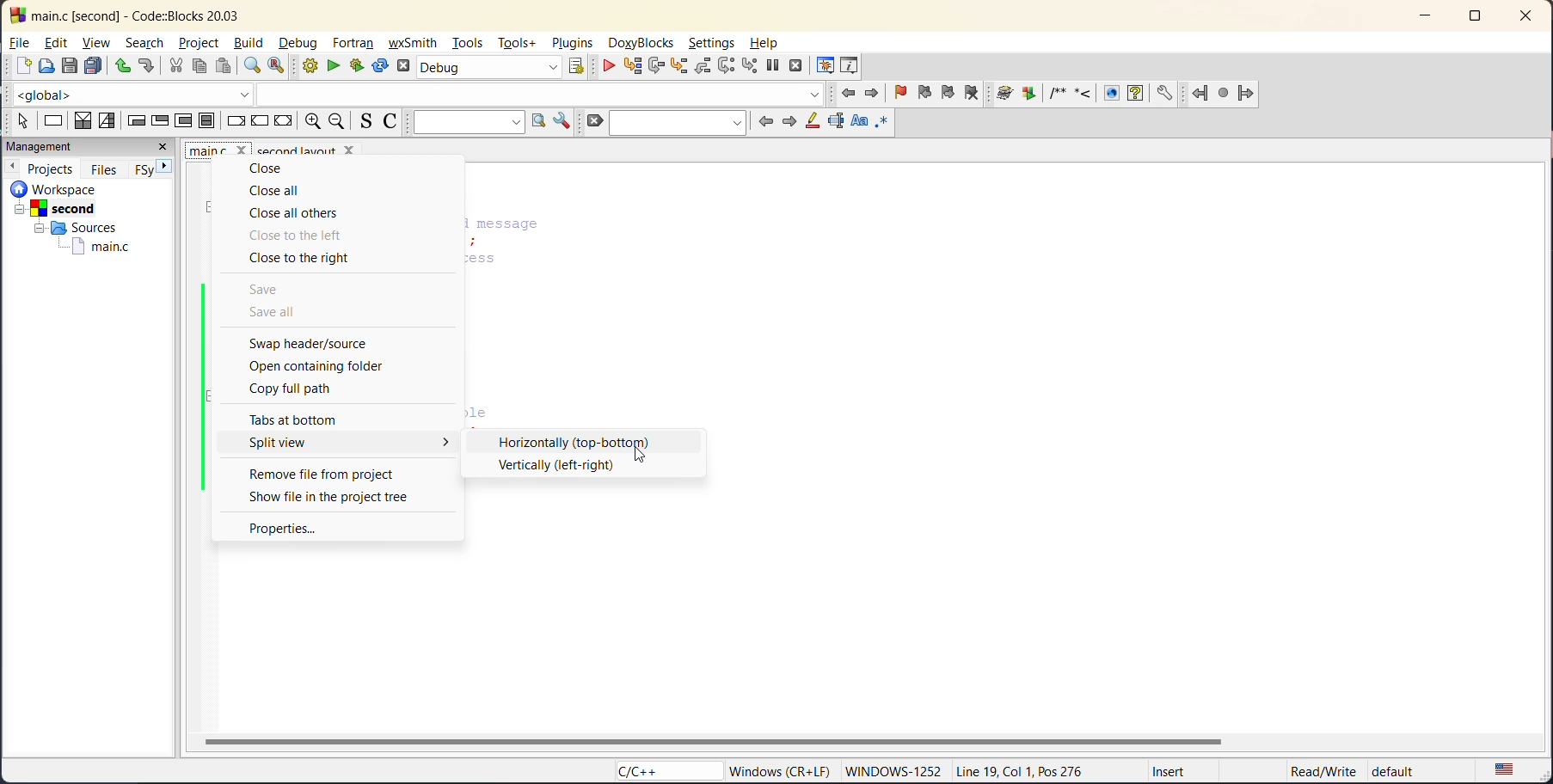 The image size is (1553, 784). What do you see at coordinates (682, 67) in the screenshot?
I see `step into` at bounding box center [682, 67].